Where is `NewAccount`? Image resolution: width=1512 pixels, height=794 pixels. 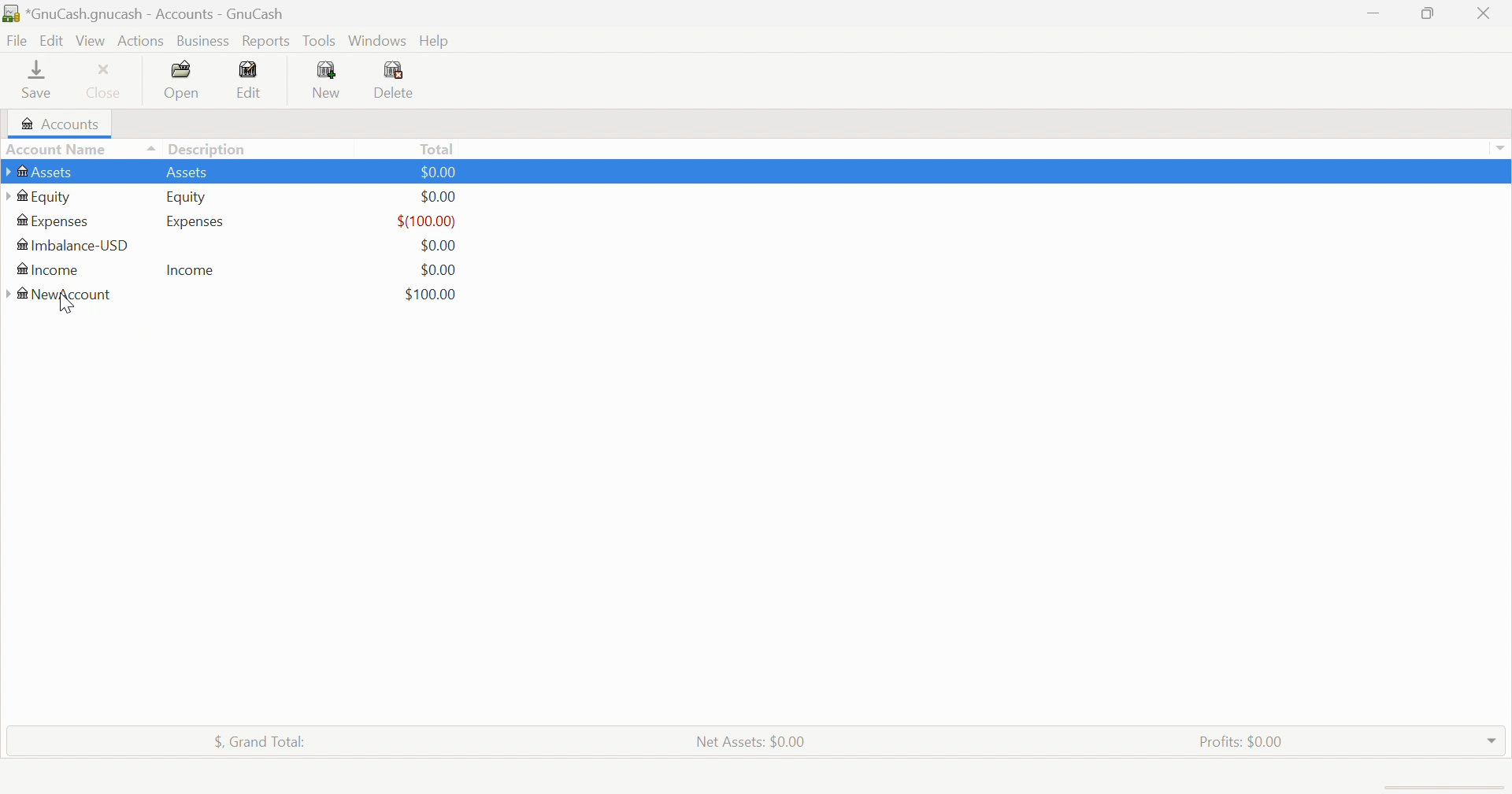
NewAccount is located at coordinates (64, 295).